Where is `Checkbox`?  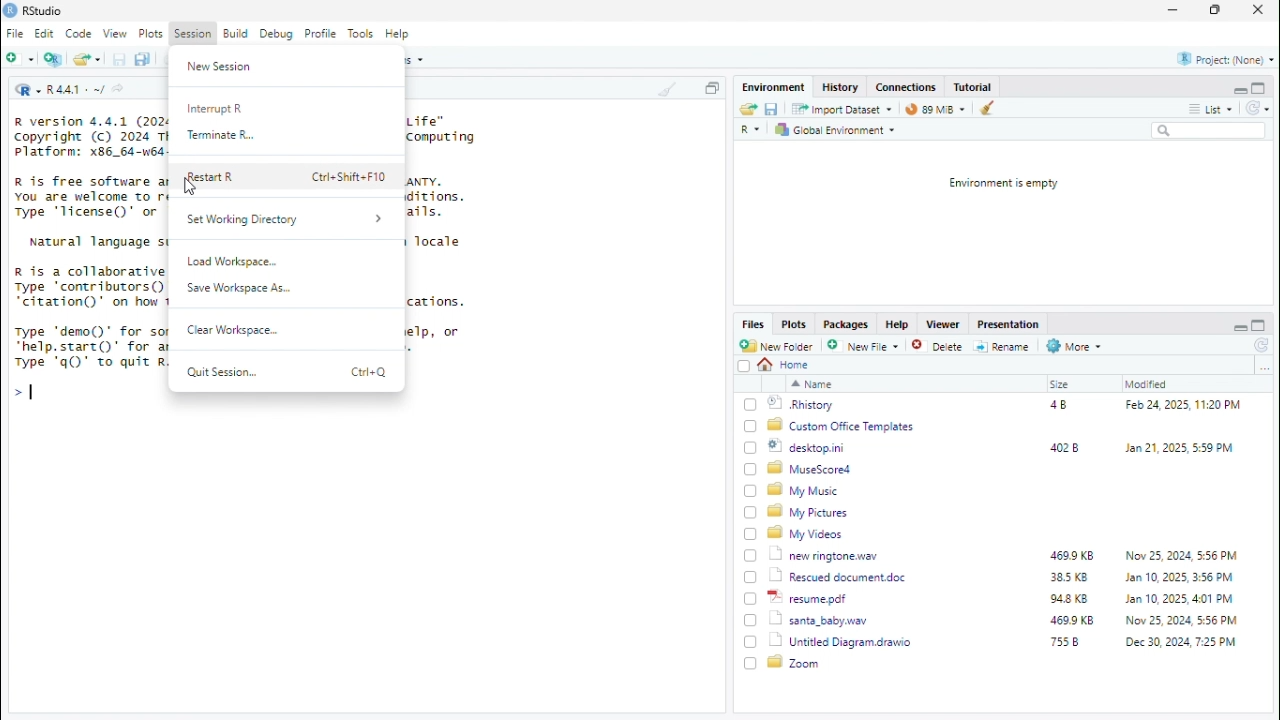
Checkbox is located at coordinates (751, 600).